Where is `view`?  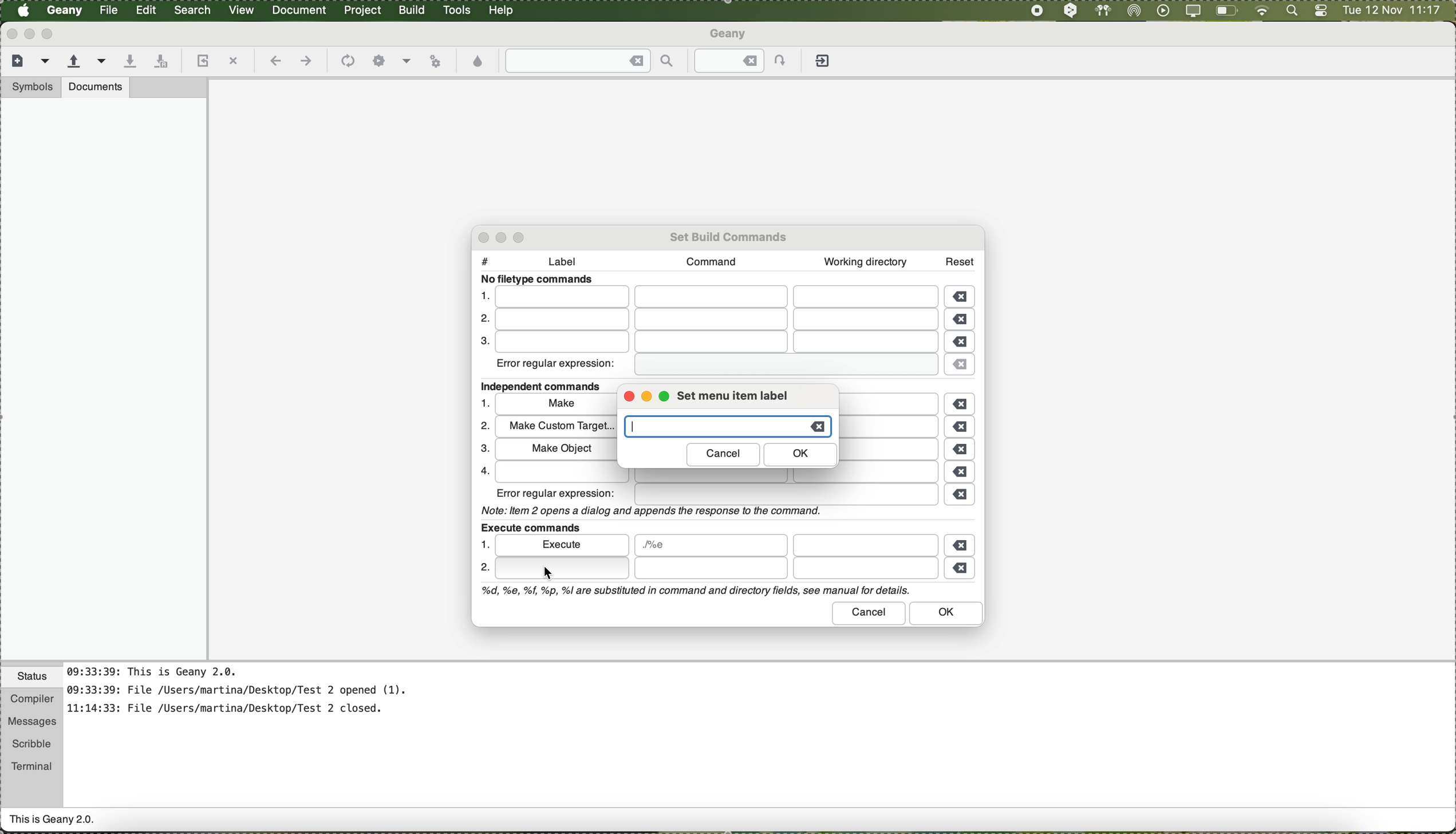 view is located at coordinates (242, 9).